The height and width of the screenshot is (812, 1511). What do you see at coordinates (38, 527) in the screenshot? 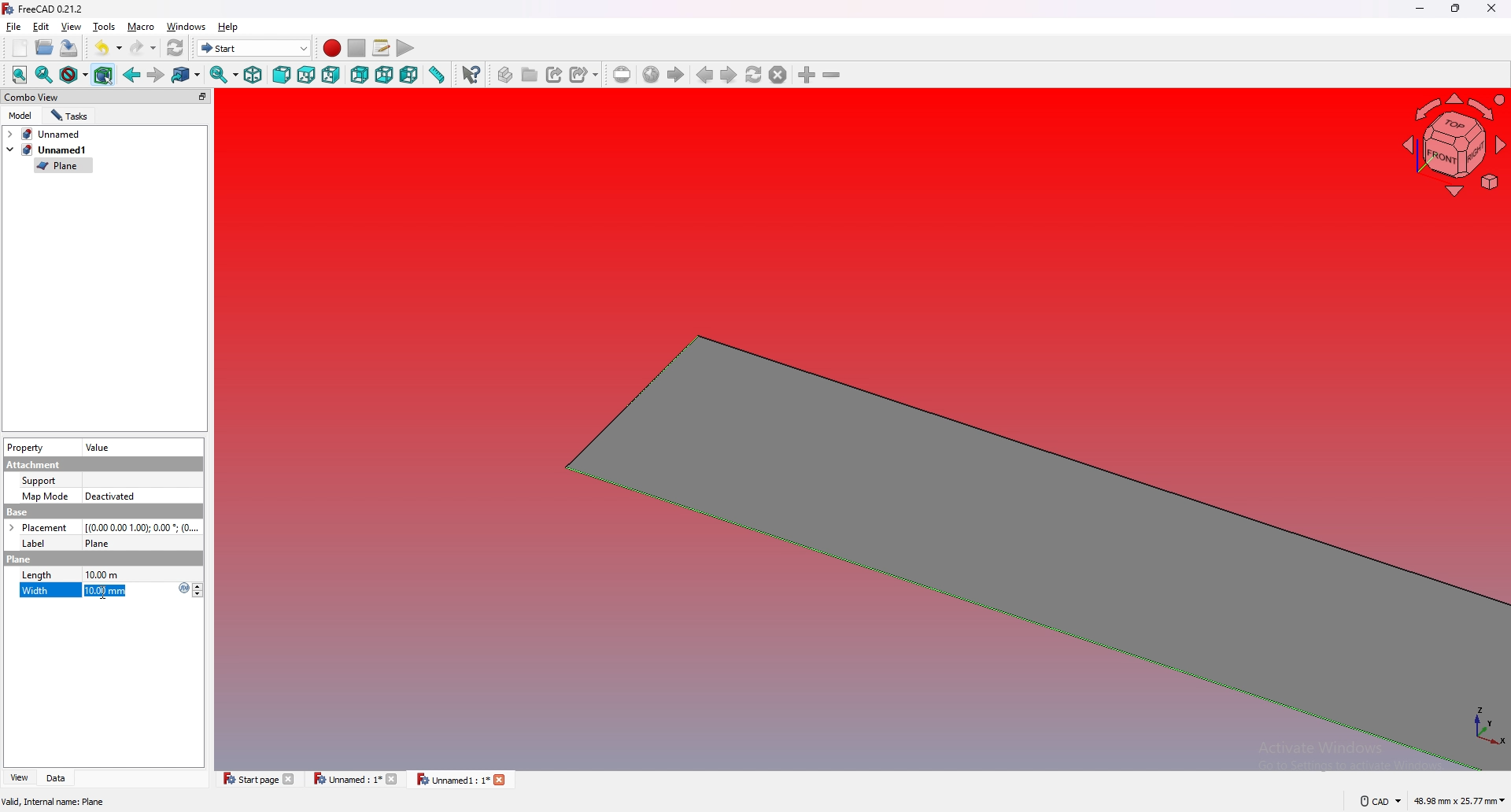
I see `Placement` at bounding box center [38, 527].